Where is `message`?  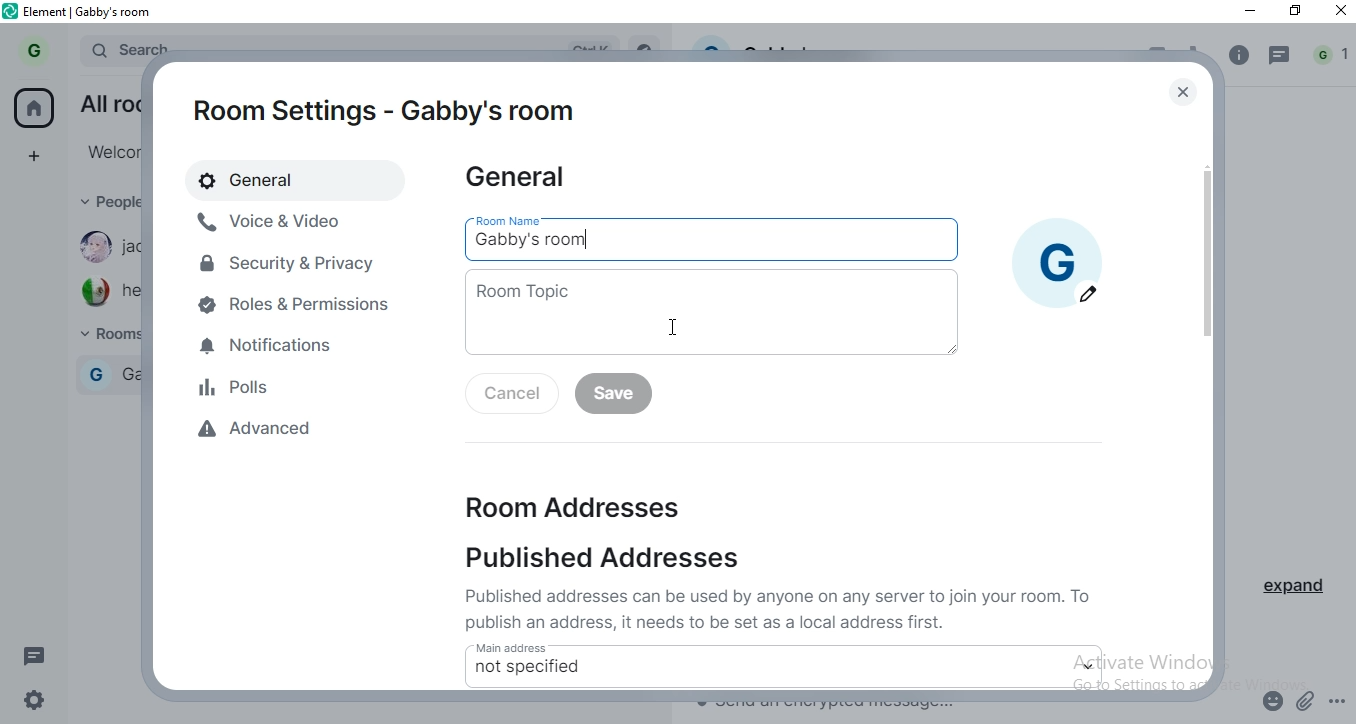 message is located at coordinates (1282, 57).